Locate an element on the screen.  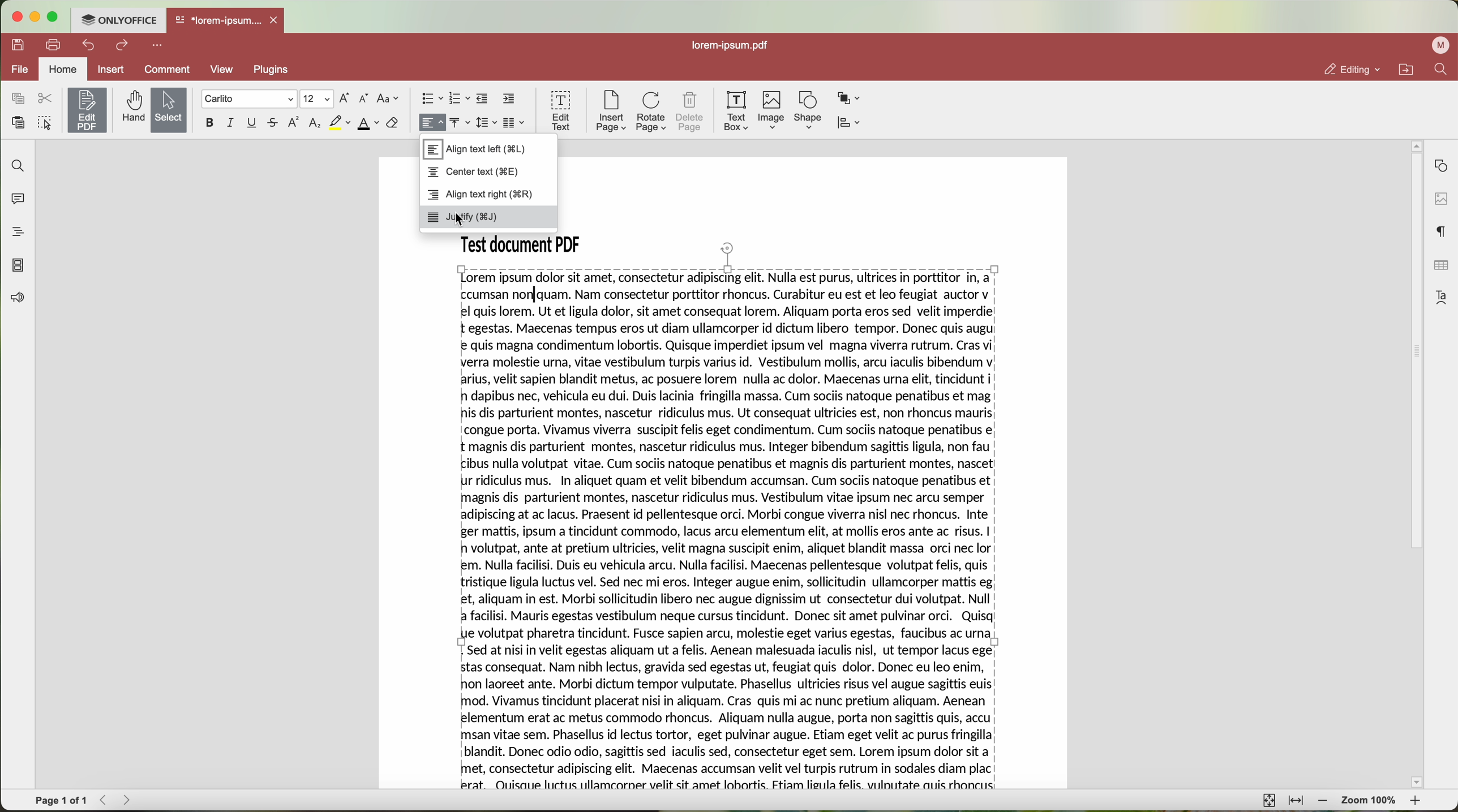
increase indent is located at coordinates (510, 99).